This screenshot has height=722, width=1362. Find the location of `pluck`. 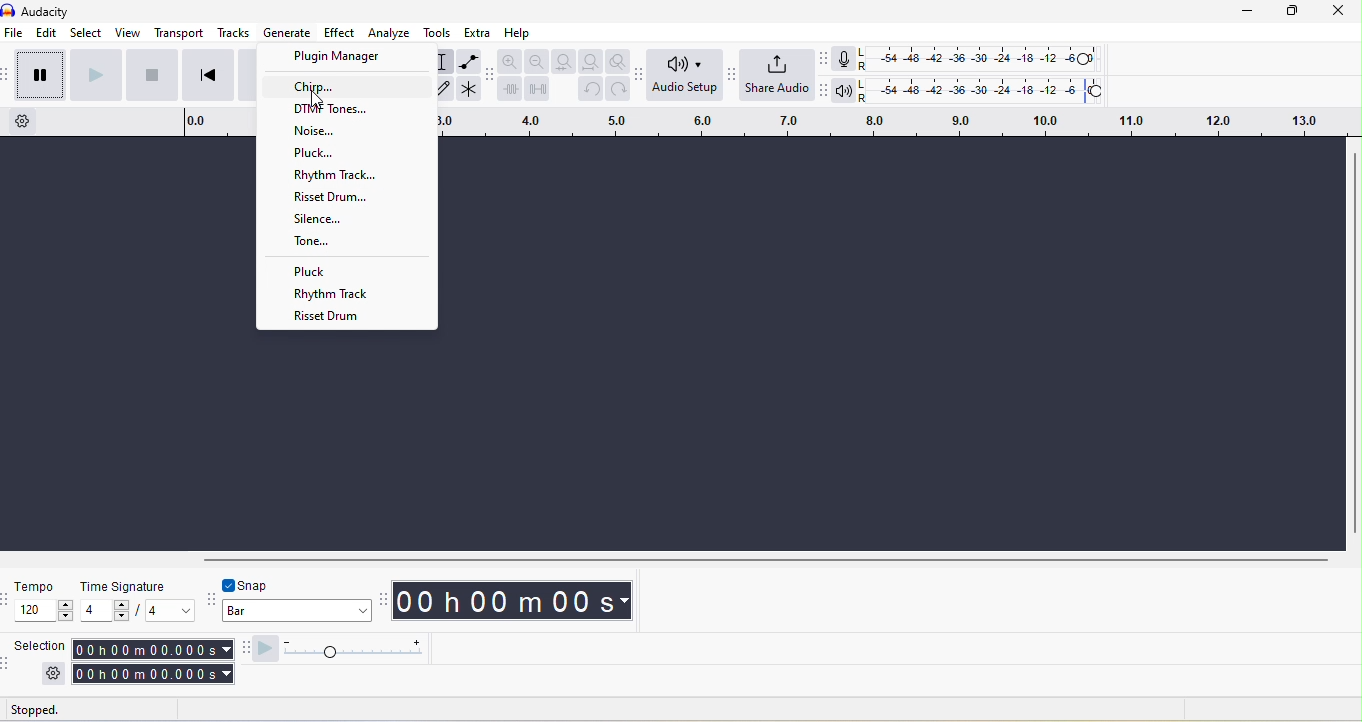

pluck is located at coordinates (312, 271).